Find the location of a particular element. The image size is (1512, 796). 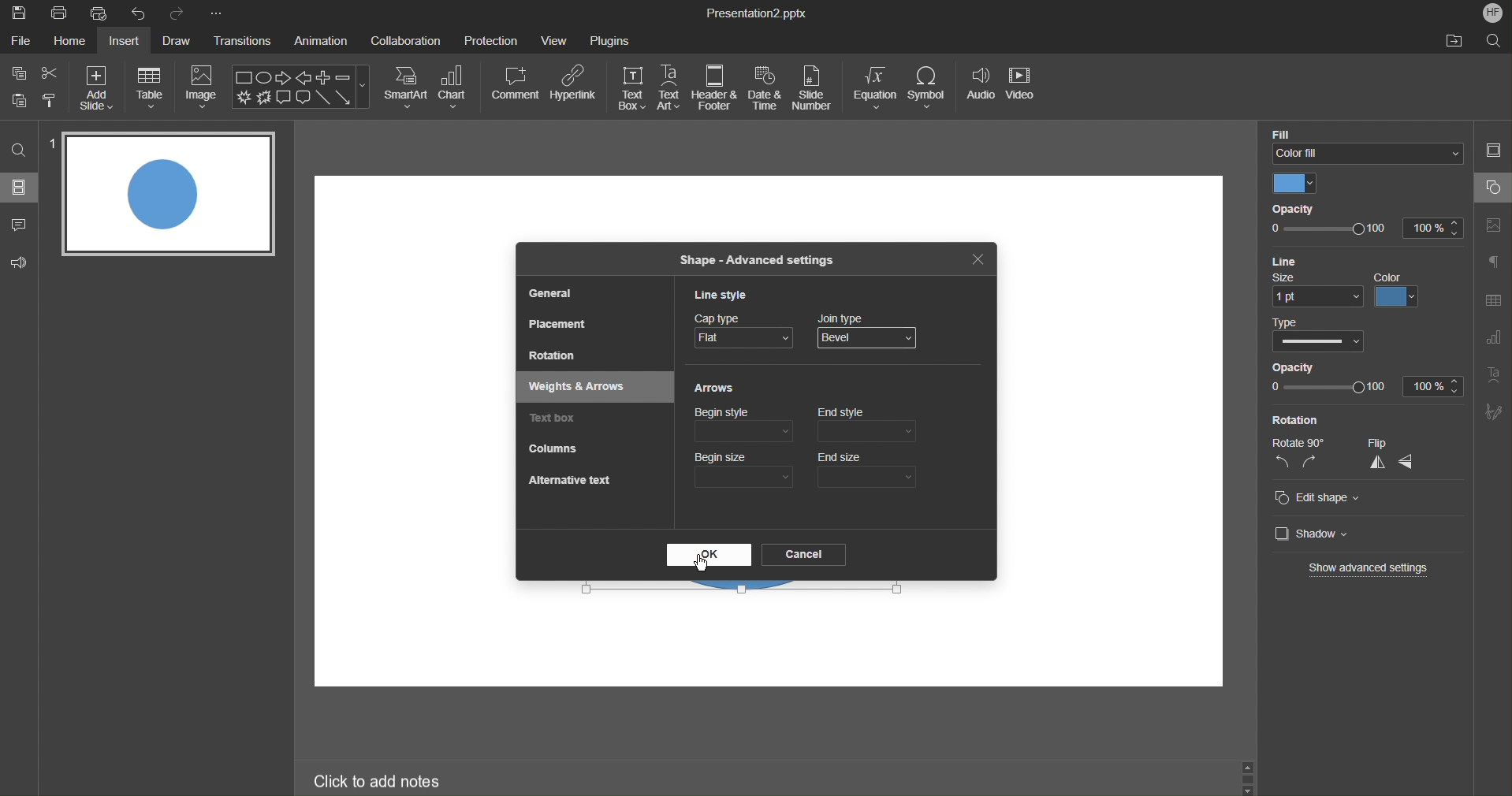

Text Art is located at coordinates (1495, 379).